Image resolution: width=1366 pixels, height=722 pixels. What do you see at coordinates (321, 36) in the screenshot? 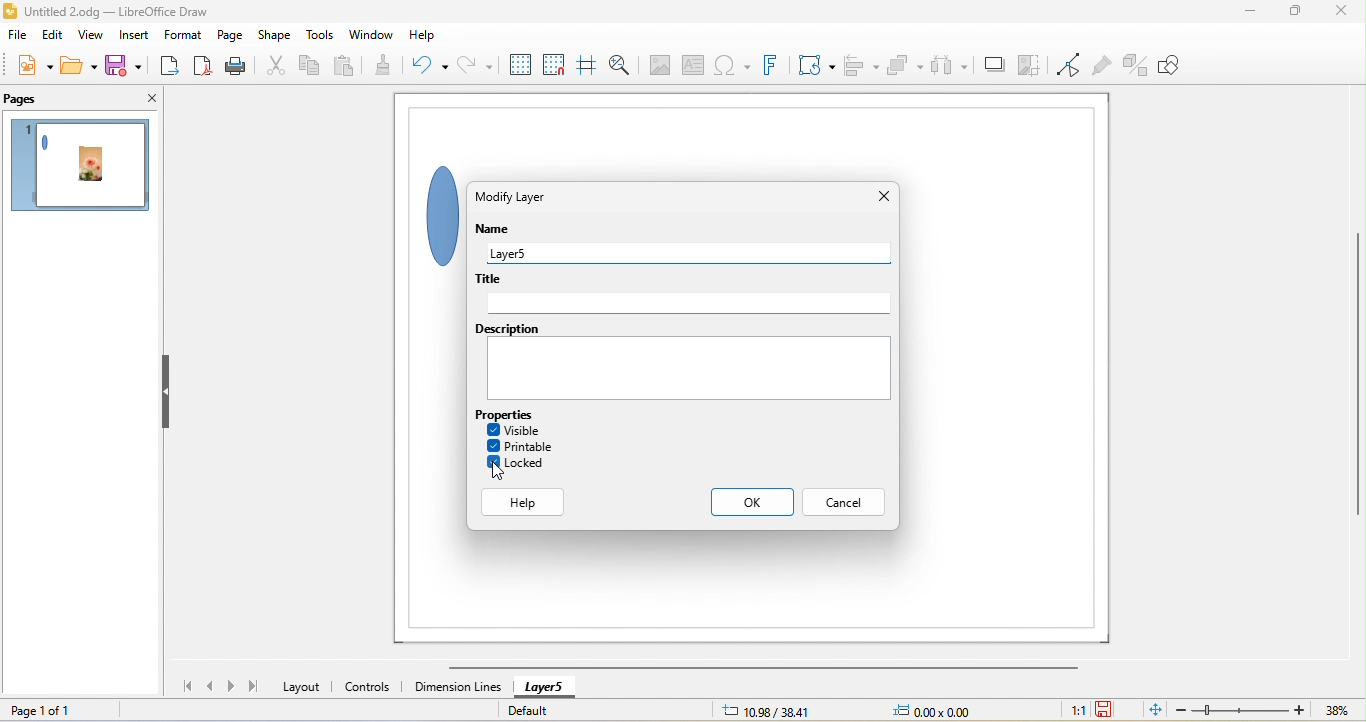
I see `tools` at bounding box center [321, 36].